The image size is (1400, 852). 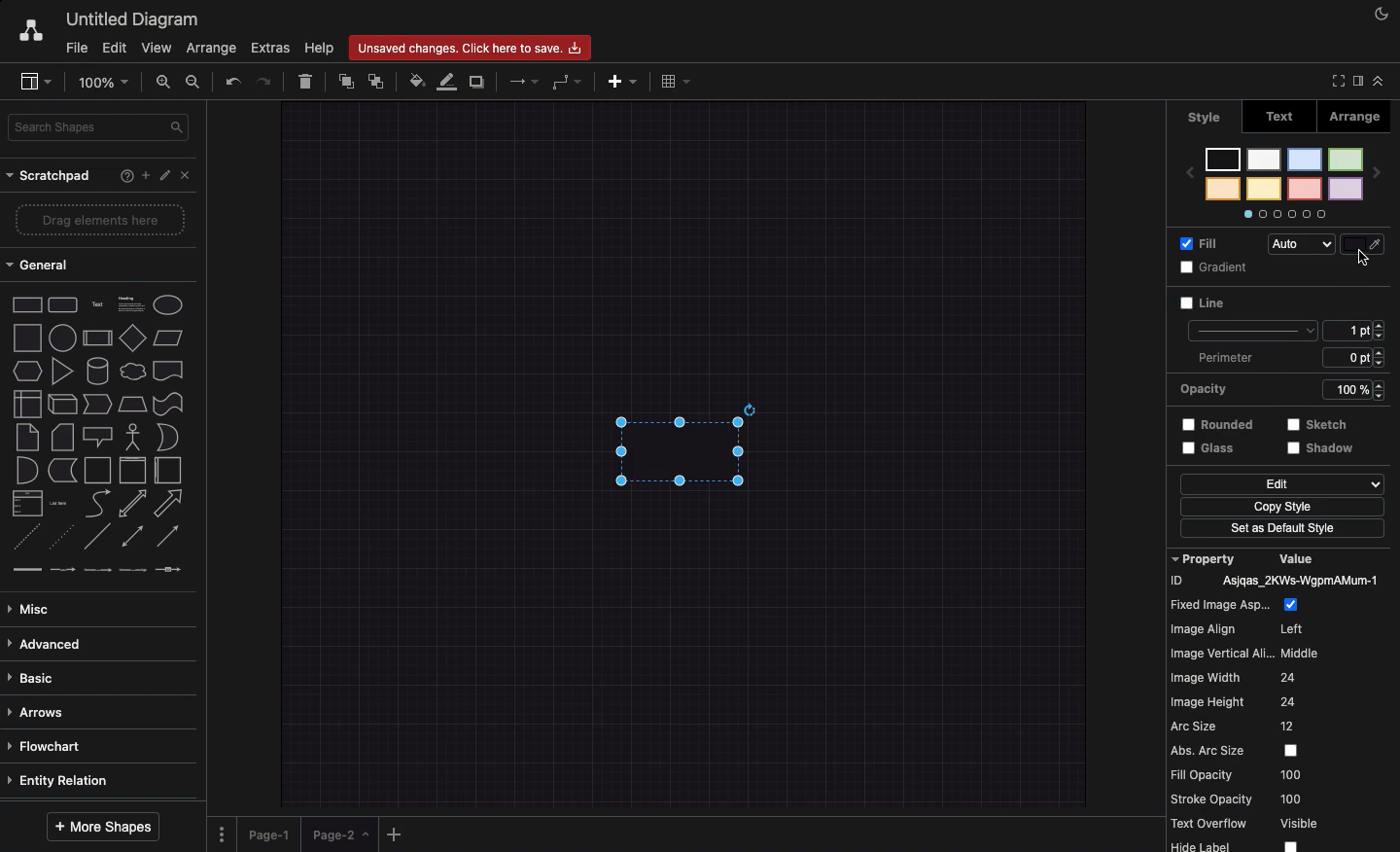 I want to click on cube, so click(x=60, y=404).